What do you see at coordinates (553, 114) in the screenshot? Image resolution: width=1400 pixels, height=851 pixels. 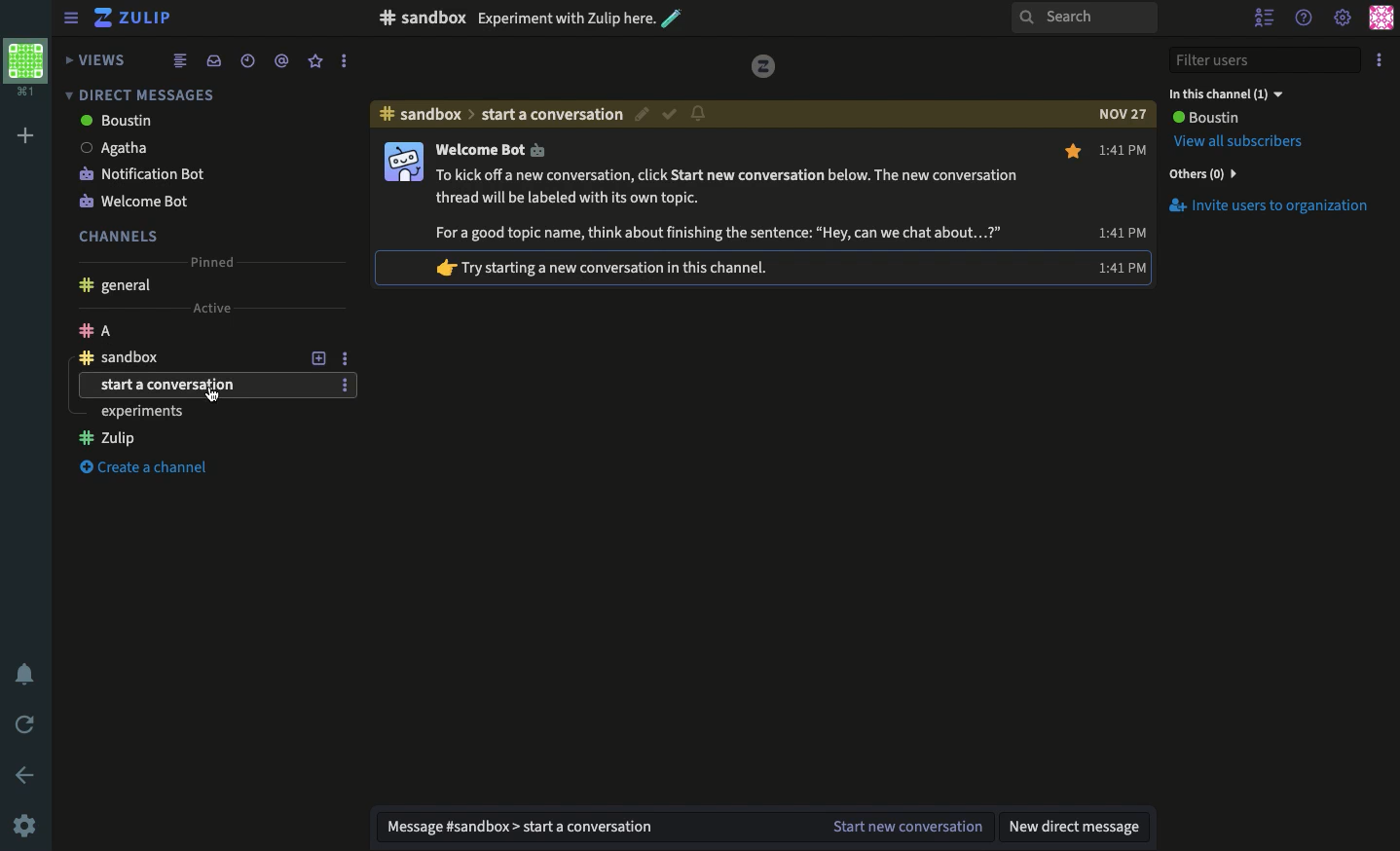 I see `Topic` at bounding box center [553, 114].